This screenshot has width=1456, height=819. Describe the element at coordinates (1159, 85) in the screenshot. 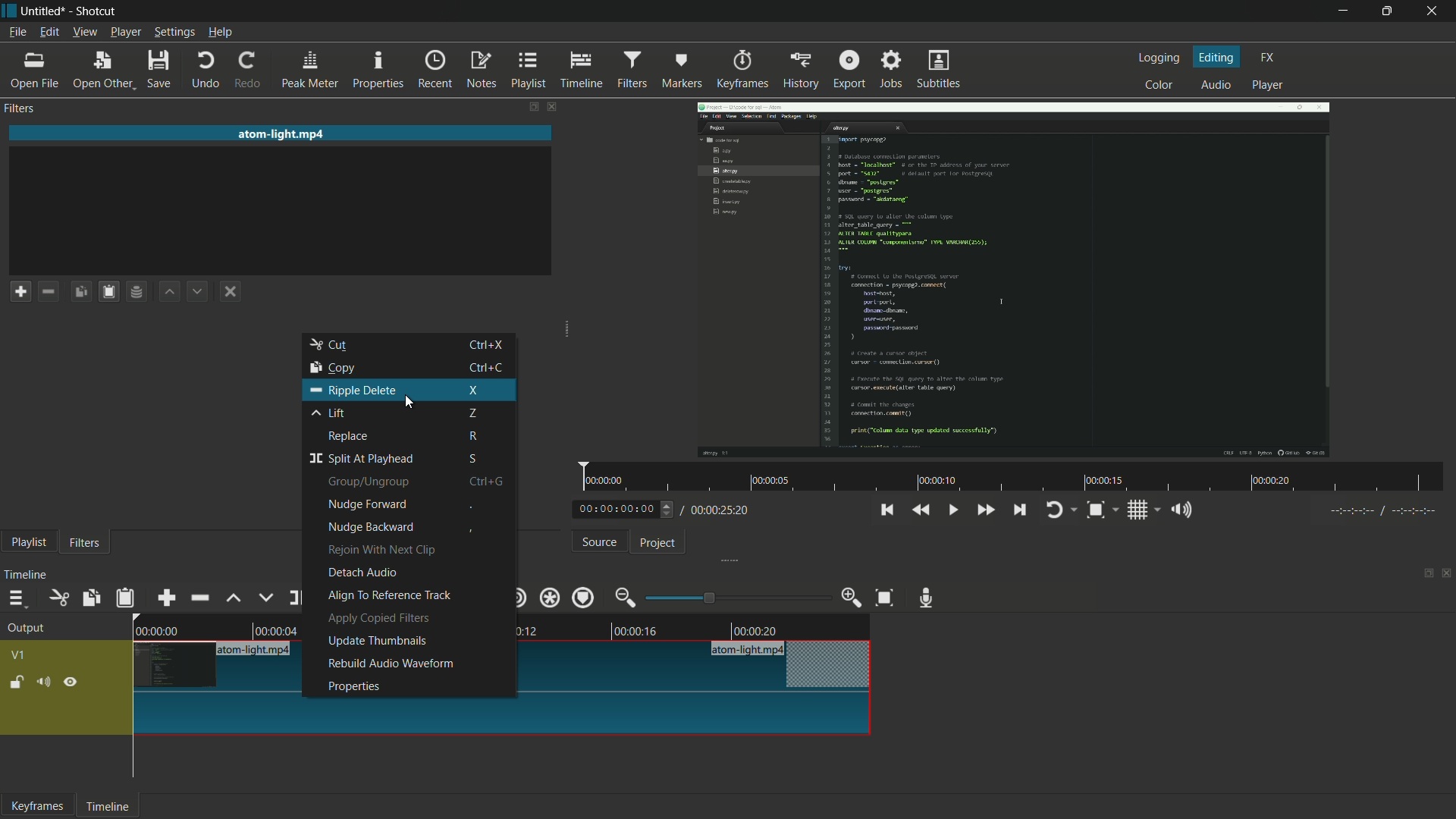

I see `color` at that location.